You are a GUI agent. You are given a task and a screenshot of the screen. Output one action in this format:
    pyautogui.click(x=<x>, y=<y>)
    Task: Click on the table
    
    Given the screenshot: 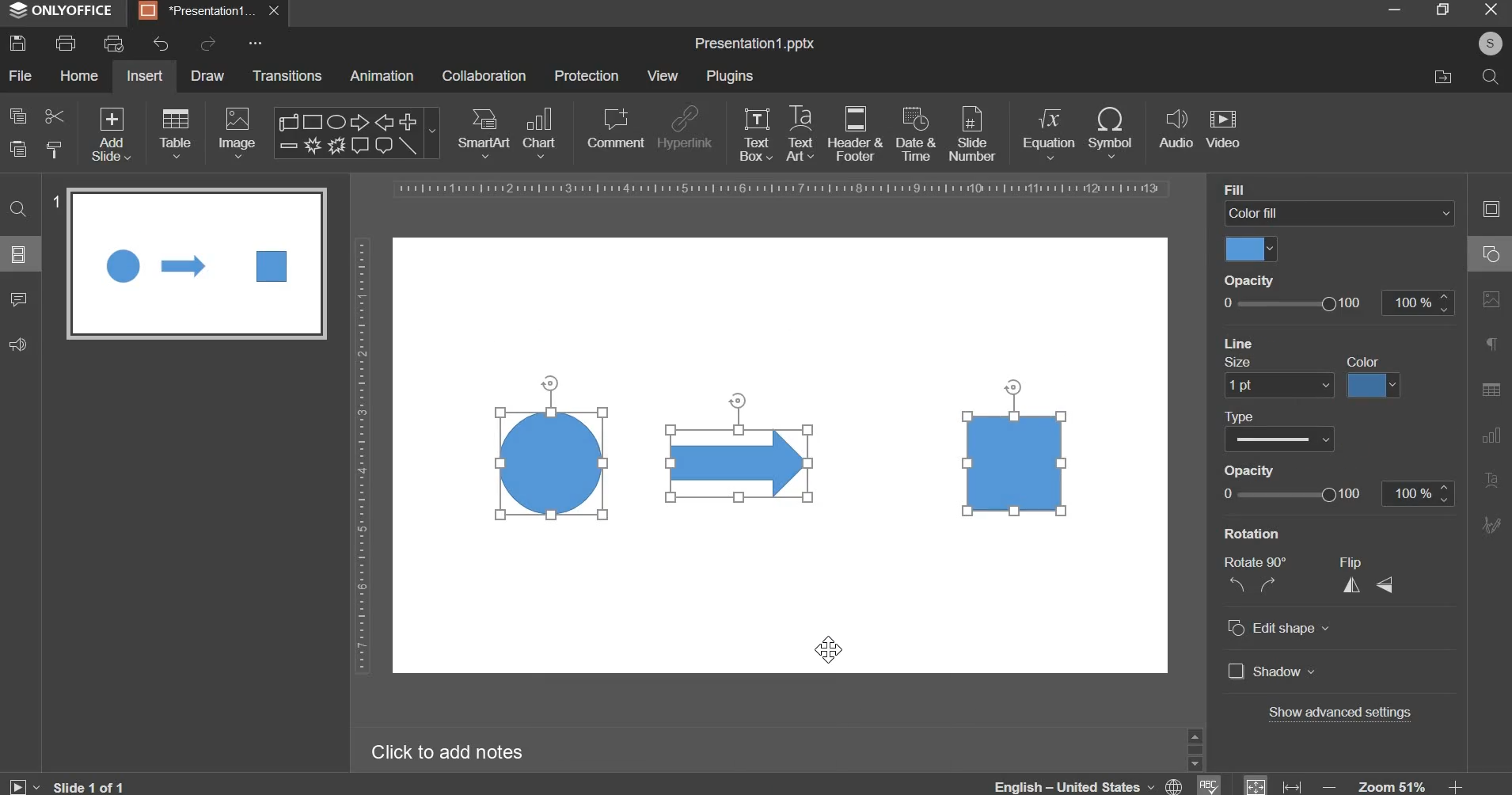 What is the action you would take?
    pyautogui.click(x=176, y=132)
    